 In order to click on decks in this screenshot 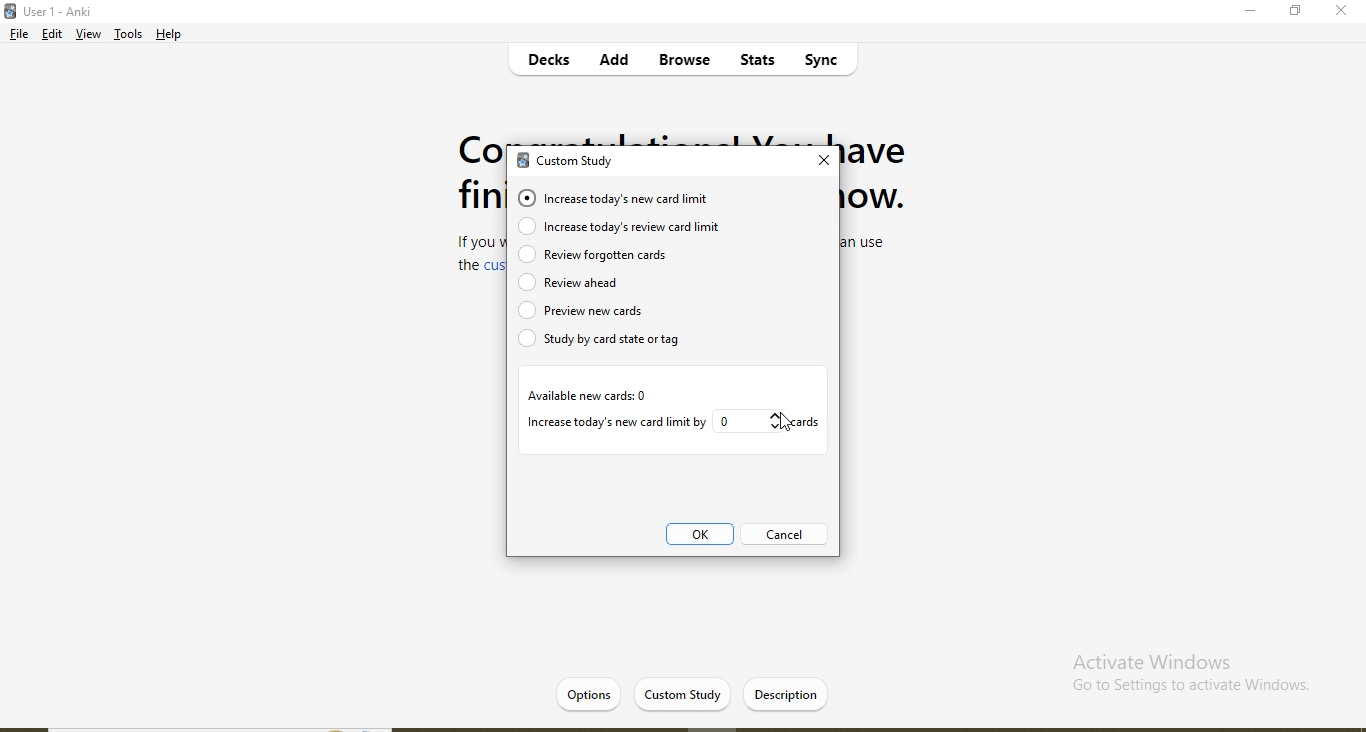, I will do `click(552, 63)`.